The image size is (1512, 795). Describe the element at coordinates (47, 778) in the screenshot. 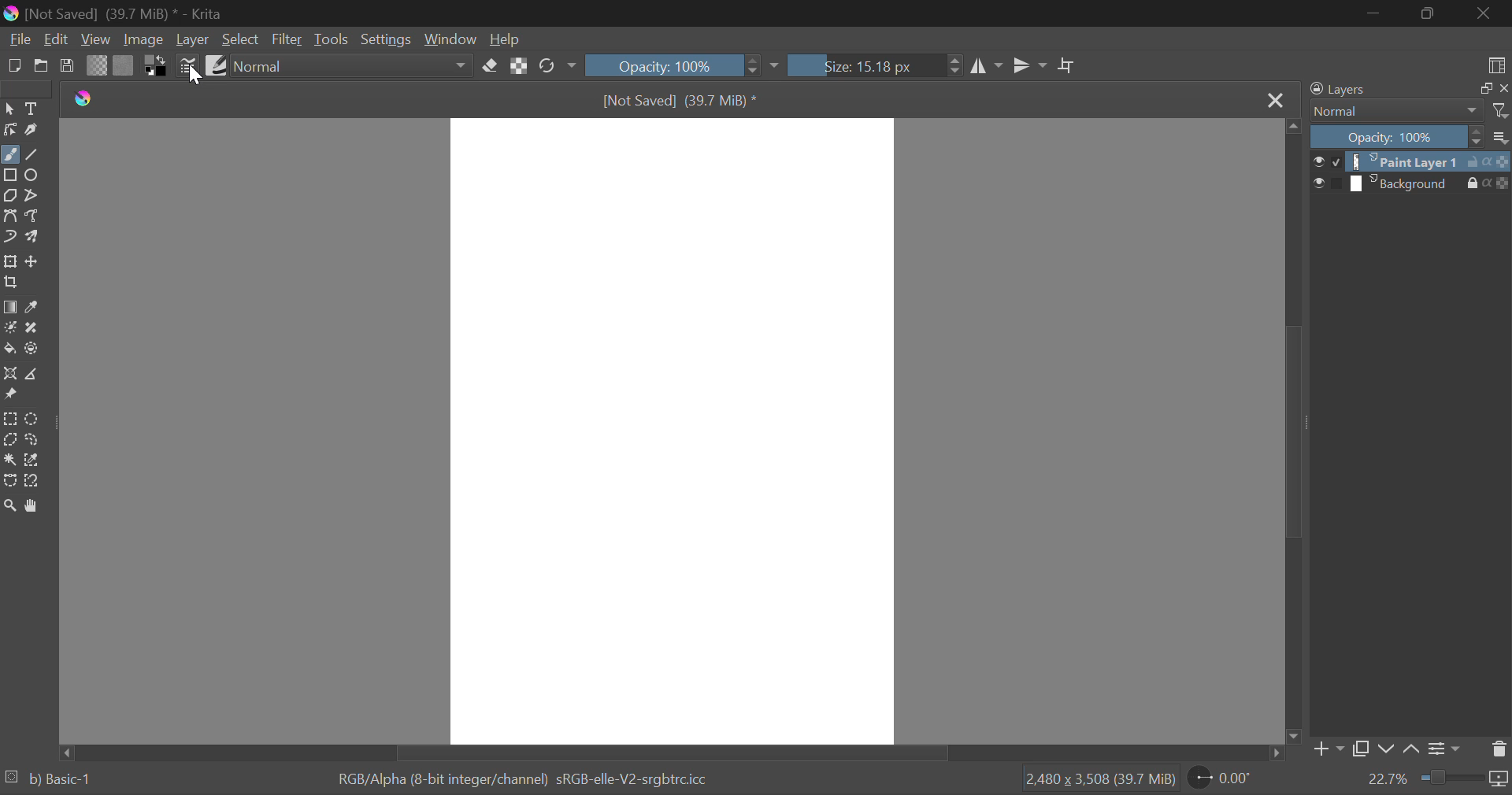

I see `b) Basic-1` at that location.